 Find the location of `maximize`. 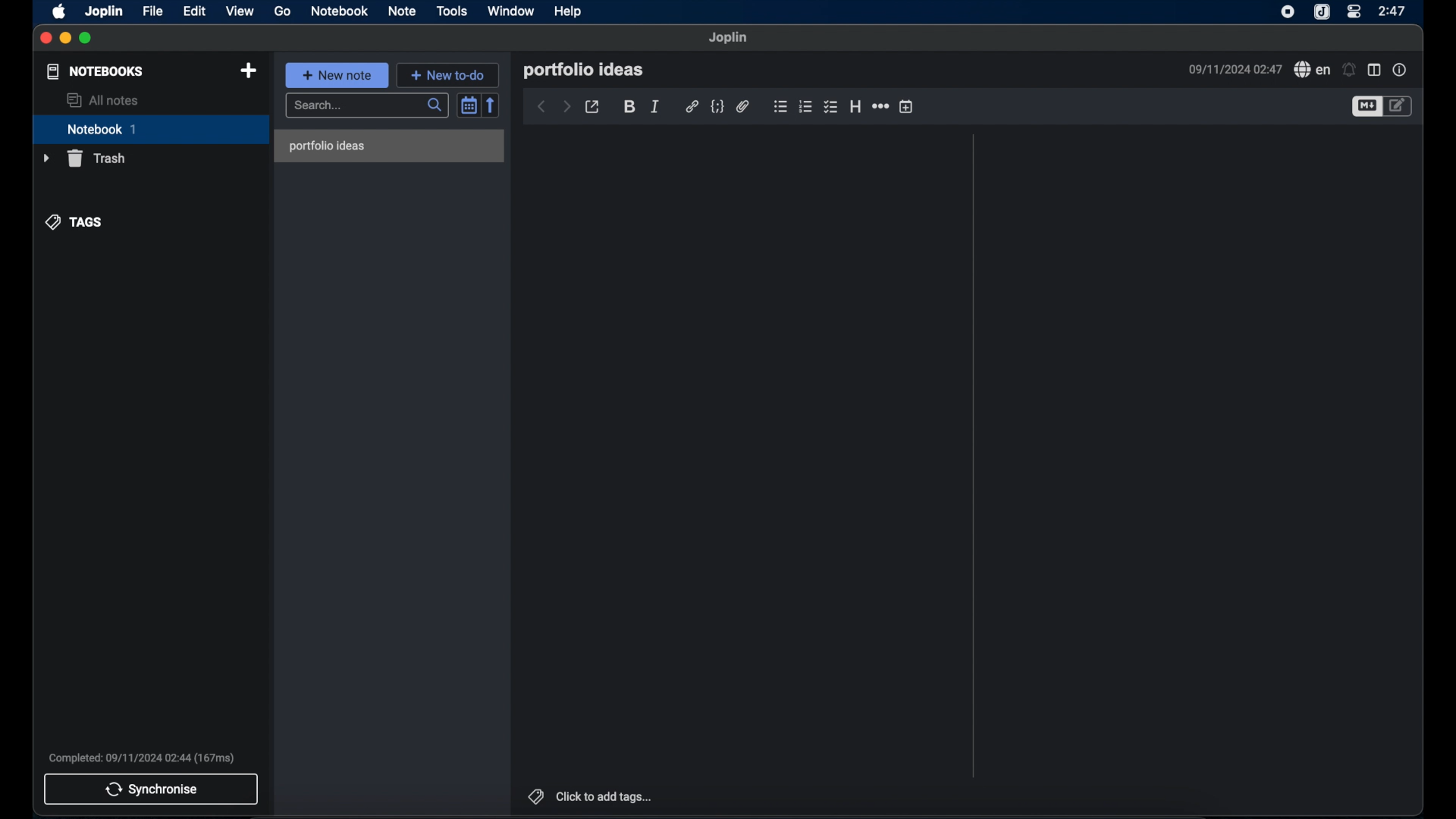

maximize is located at coordinates (86, 38).